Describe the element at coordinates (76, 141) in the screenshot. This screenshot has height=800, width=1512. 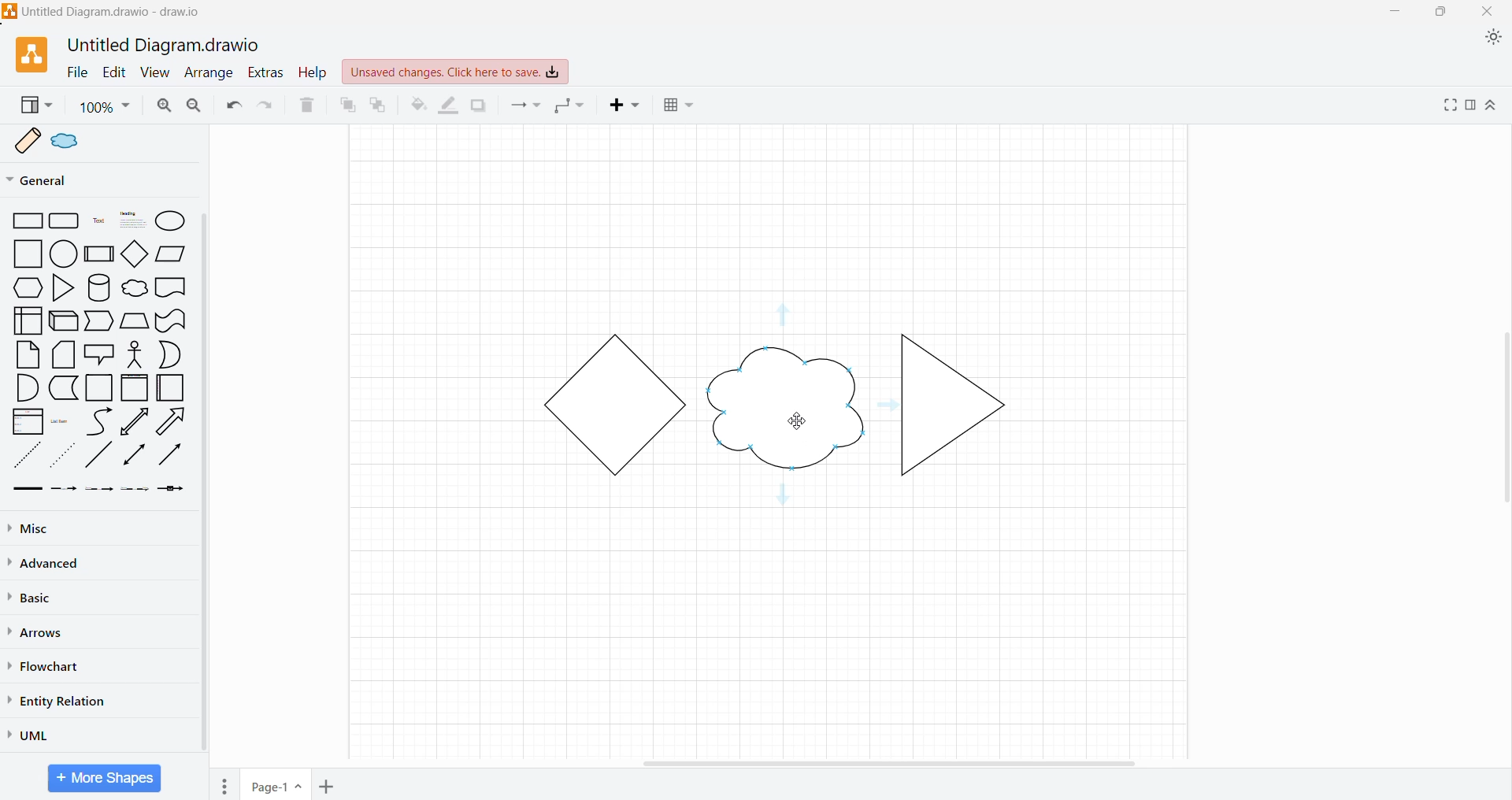
I see `Scratchpad sample shape 2` at that location.